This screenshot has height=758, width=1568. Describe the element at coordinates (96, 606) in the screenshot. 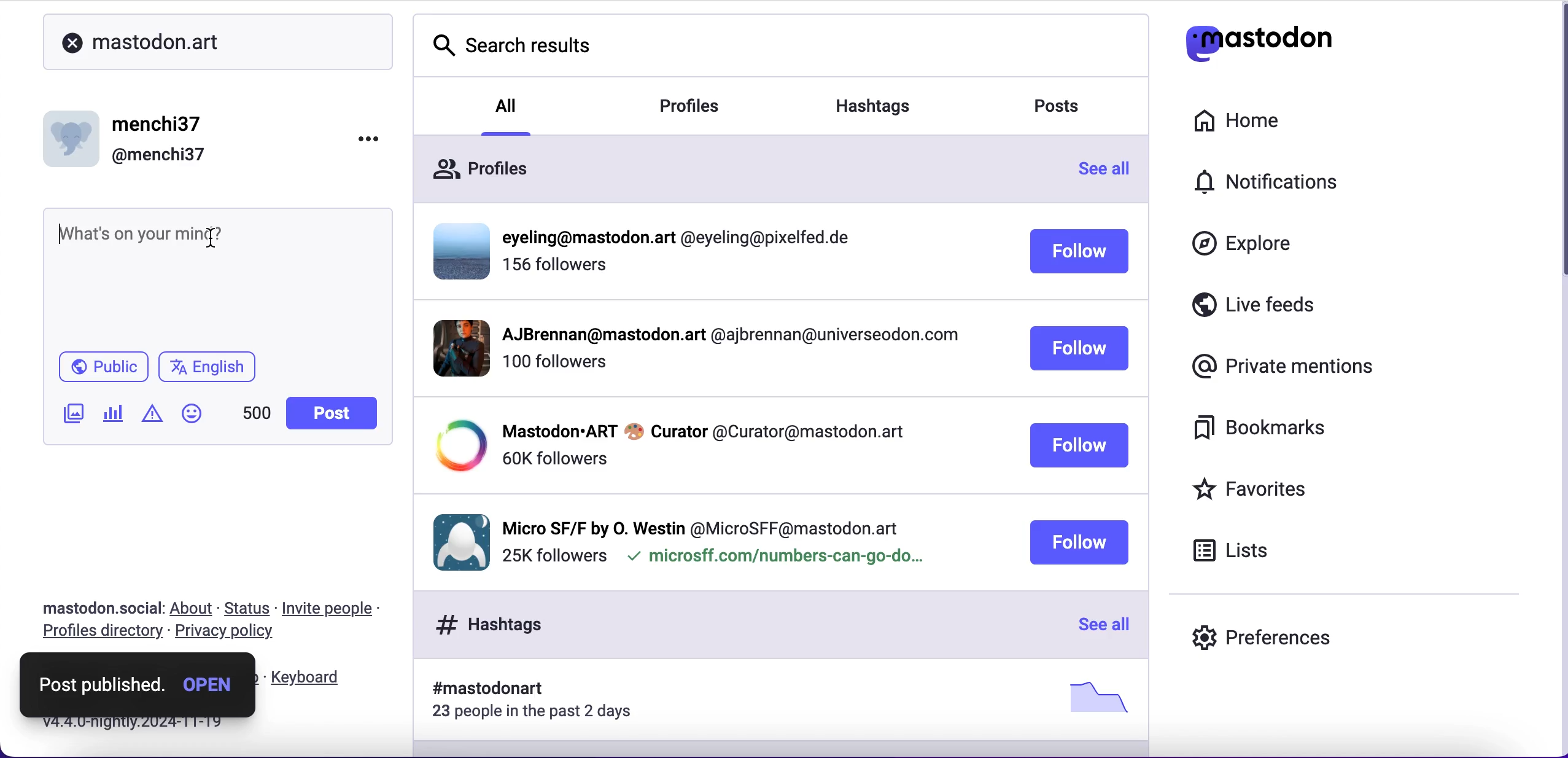

I see `mastodon.social` at that location.